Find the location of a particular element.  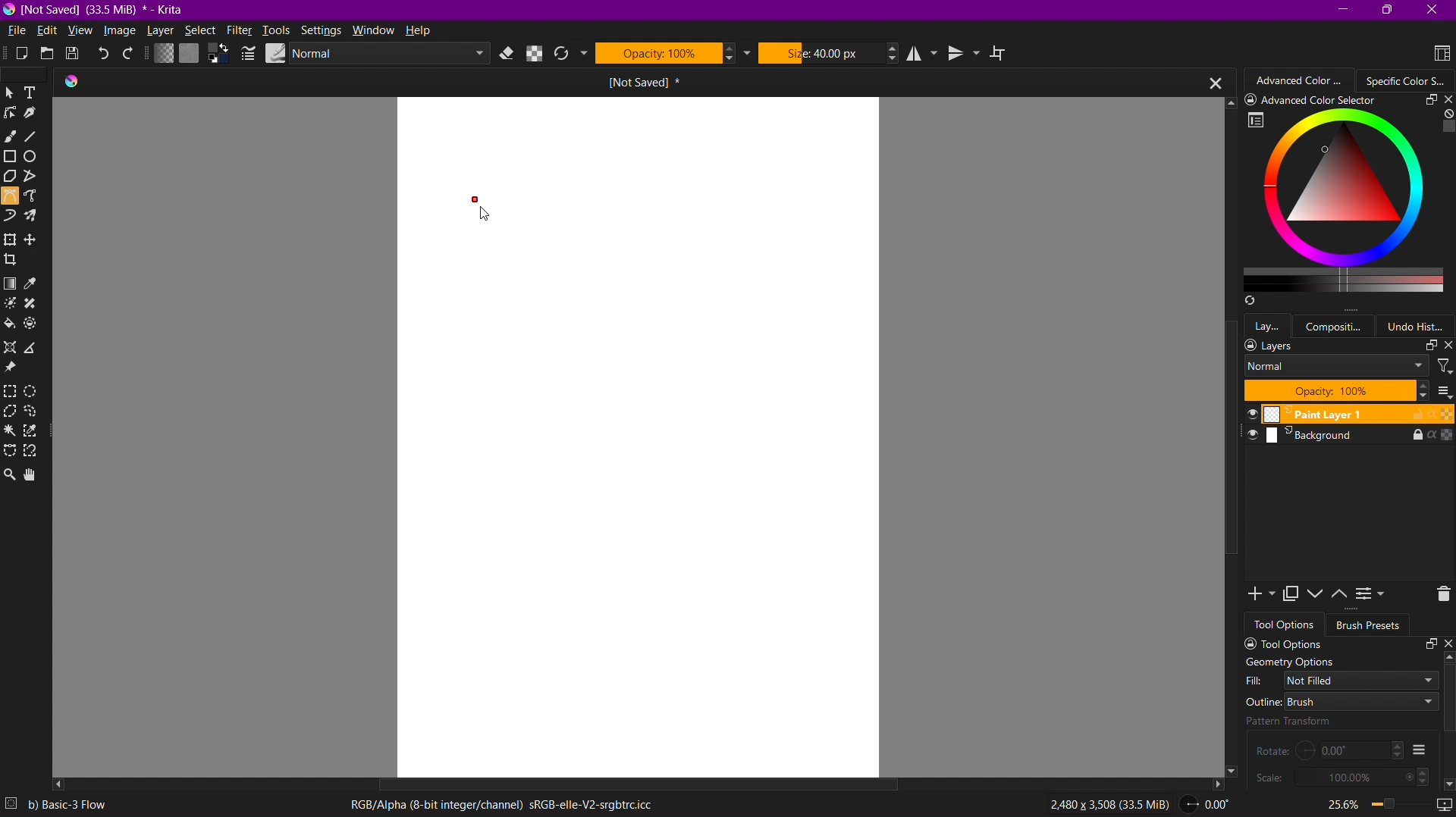

Transform a layer or selection is located at coordinates (9, 239).